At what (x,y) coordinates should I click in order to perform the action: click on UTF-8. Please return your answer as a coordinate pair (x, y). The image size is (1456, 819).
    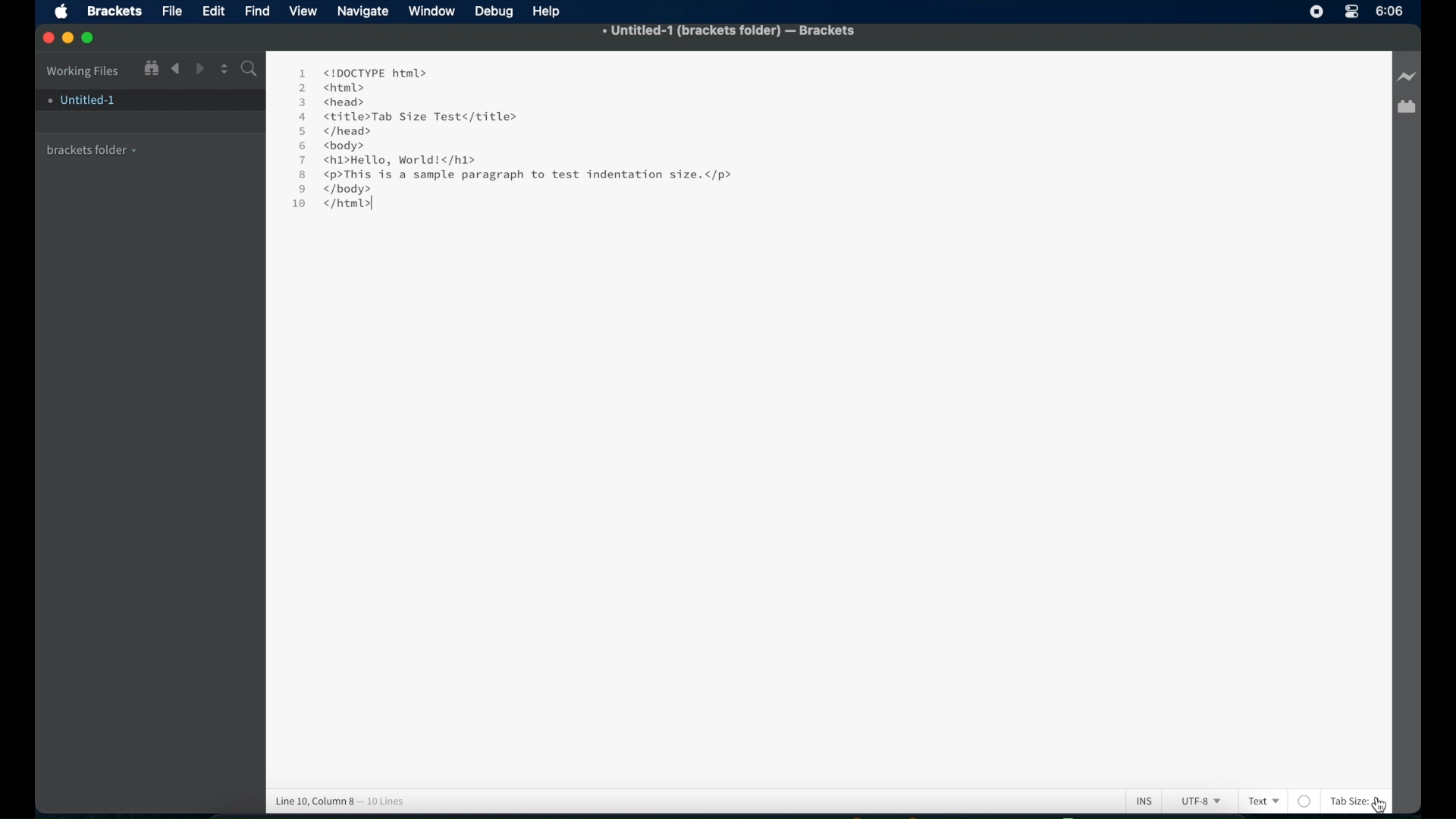
    Looking at the image, I should click on (1198, 802).